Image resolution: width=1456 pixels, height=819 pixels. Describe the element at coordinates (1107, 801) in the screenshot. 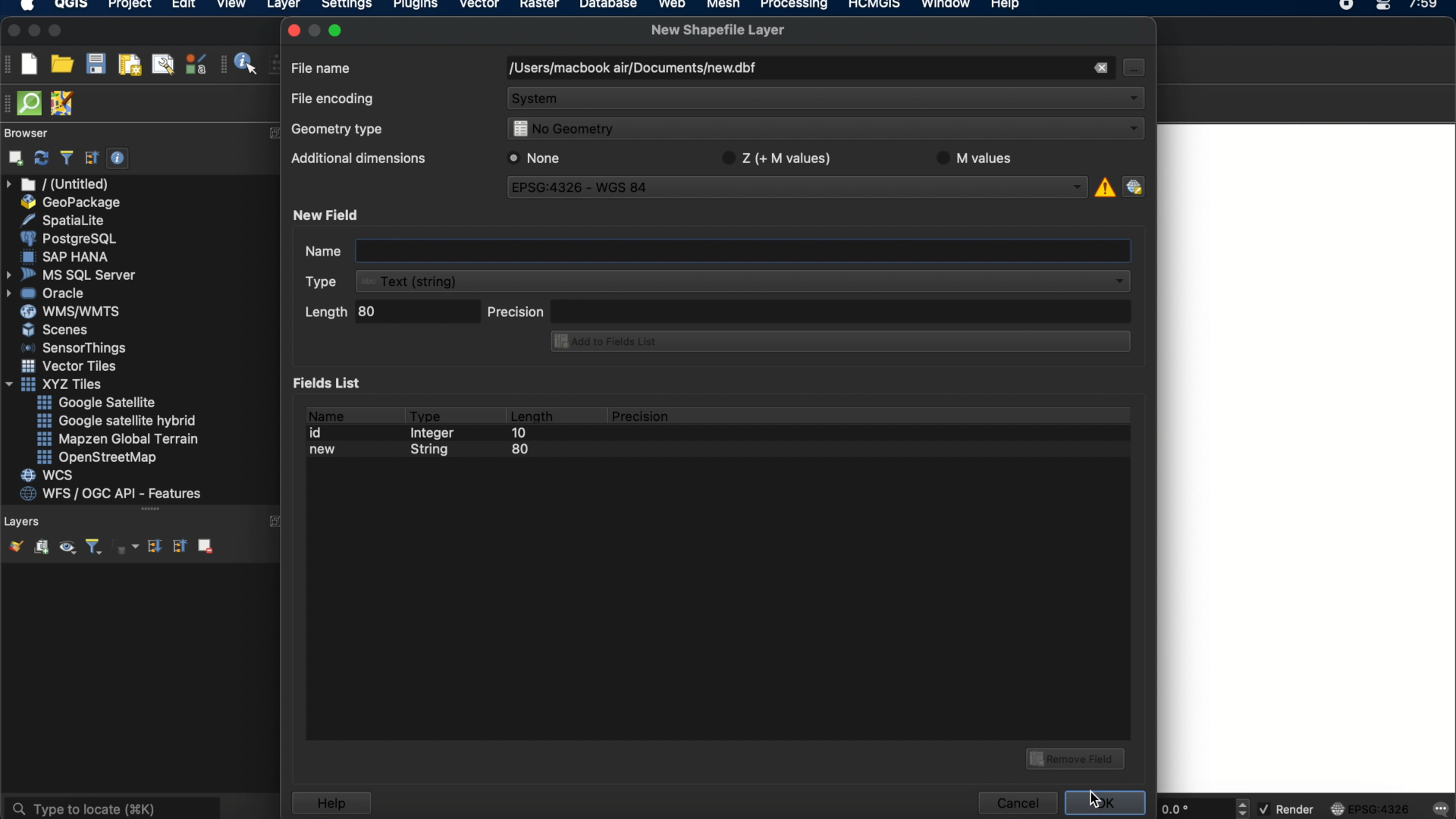

I see `ok` at that location.